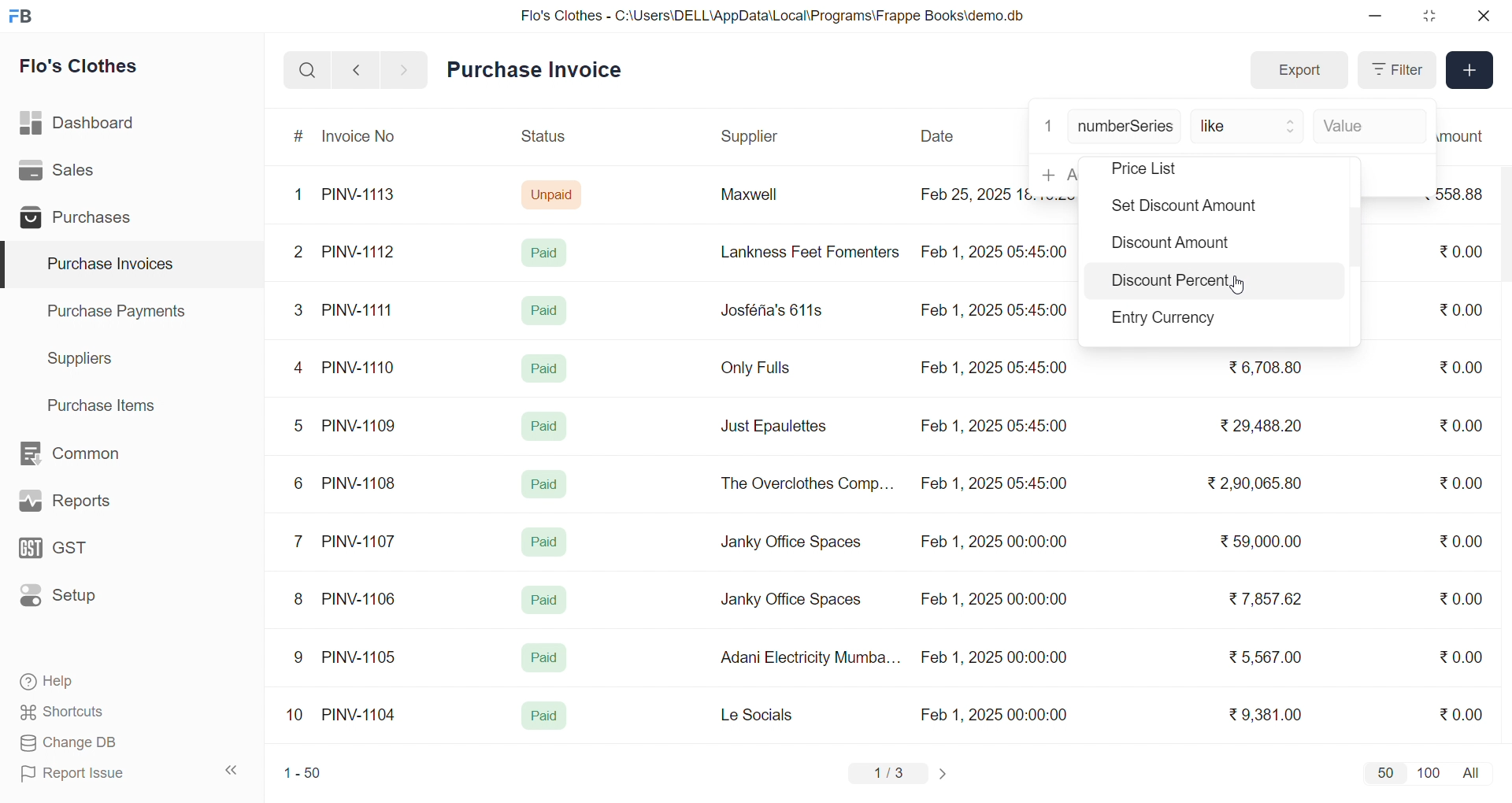  Describe the element at coordinates (87, 454) in the screenshot. I see `Common` at that location.